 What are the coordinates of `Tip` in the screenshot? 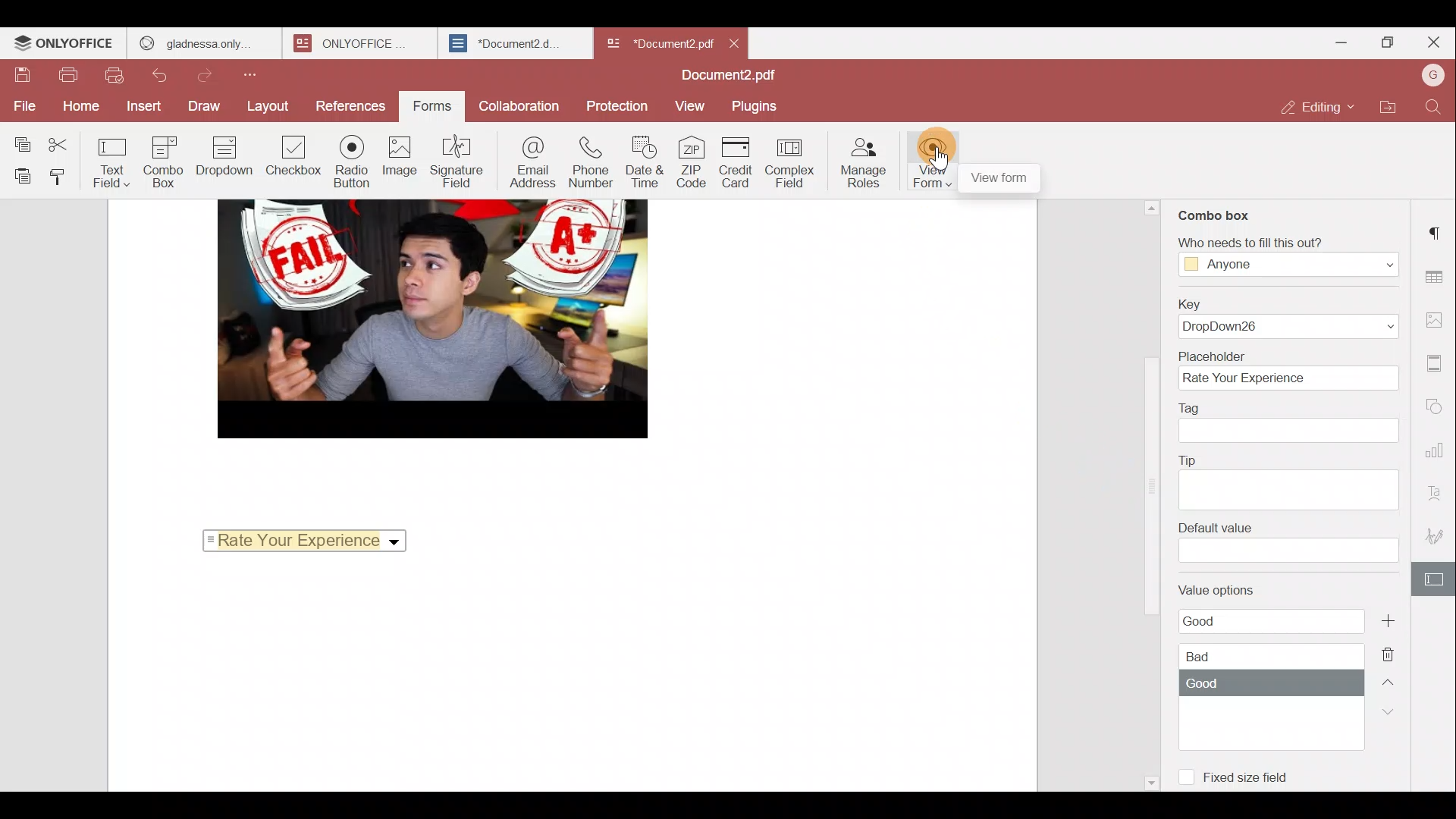 It's located at (1289, 479).